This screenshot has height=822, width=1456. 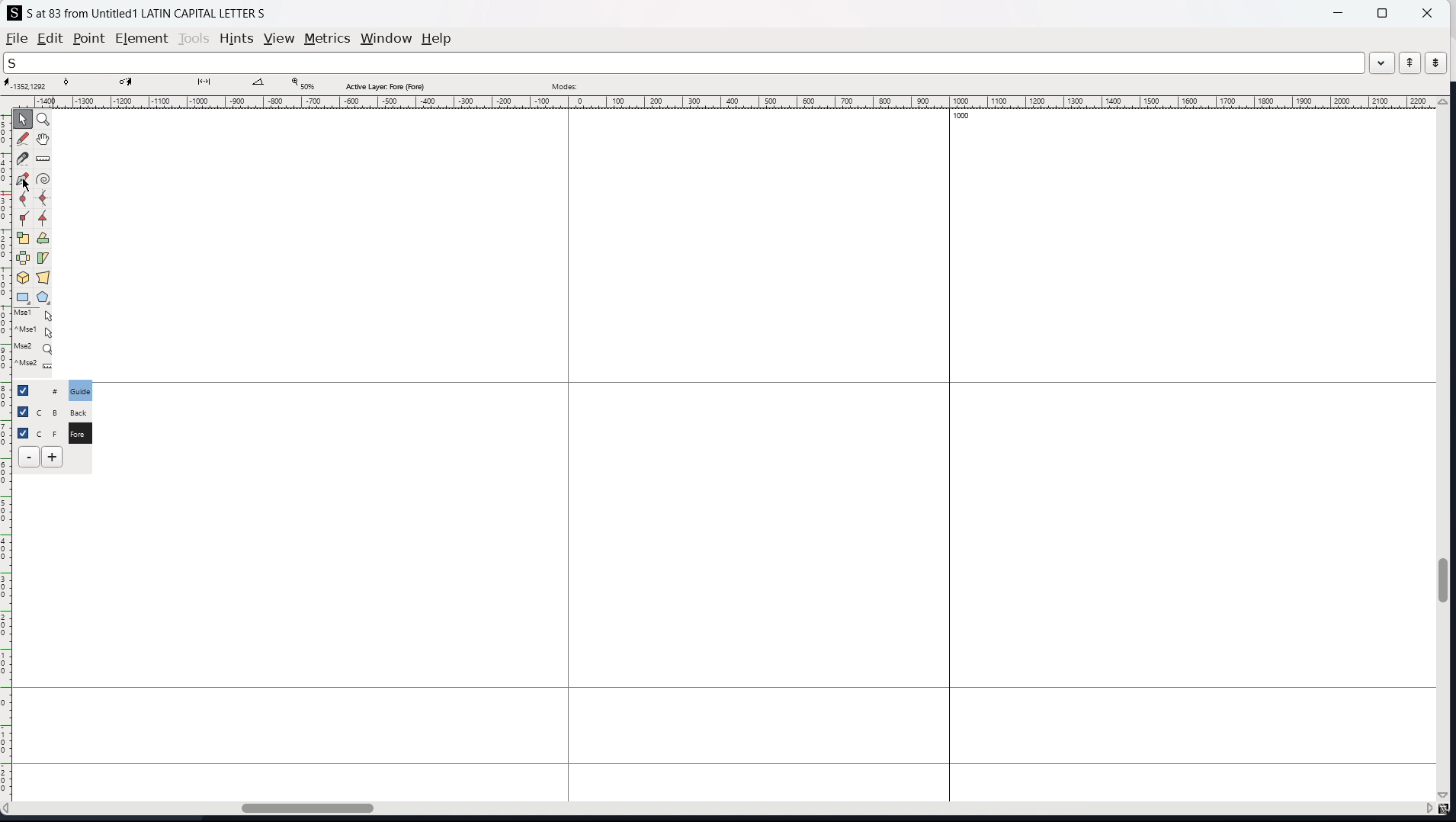 What do you see at coordinates (50, 38) in the screenshot?
I see `edit` at bounding box center [50, 38].